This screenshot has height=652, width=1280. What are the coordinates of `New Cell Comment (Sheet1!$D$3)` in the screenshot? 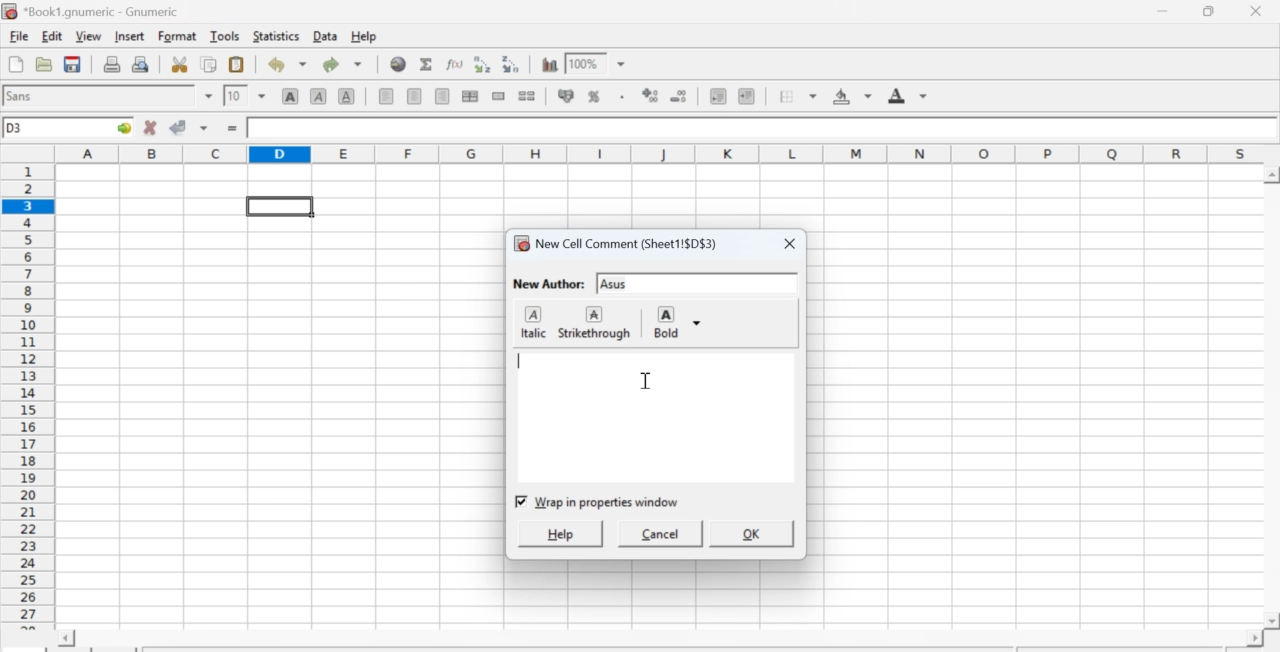 It's located at (628, 241).